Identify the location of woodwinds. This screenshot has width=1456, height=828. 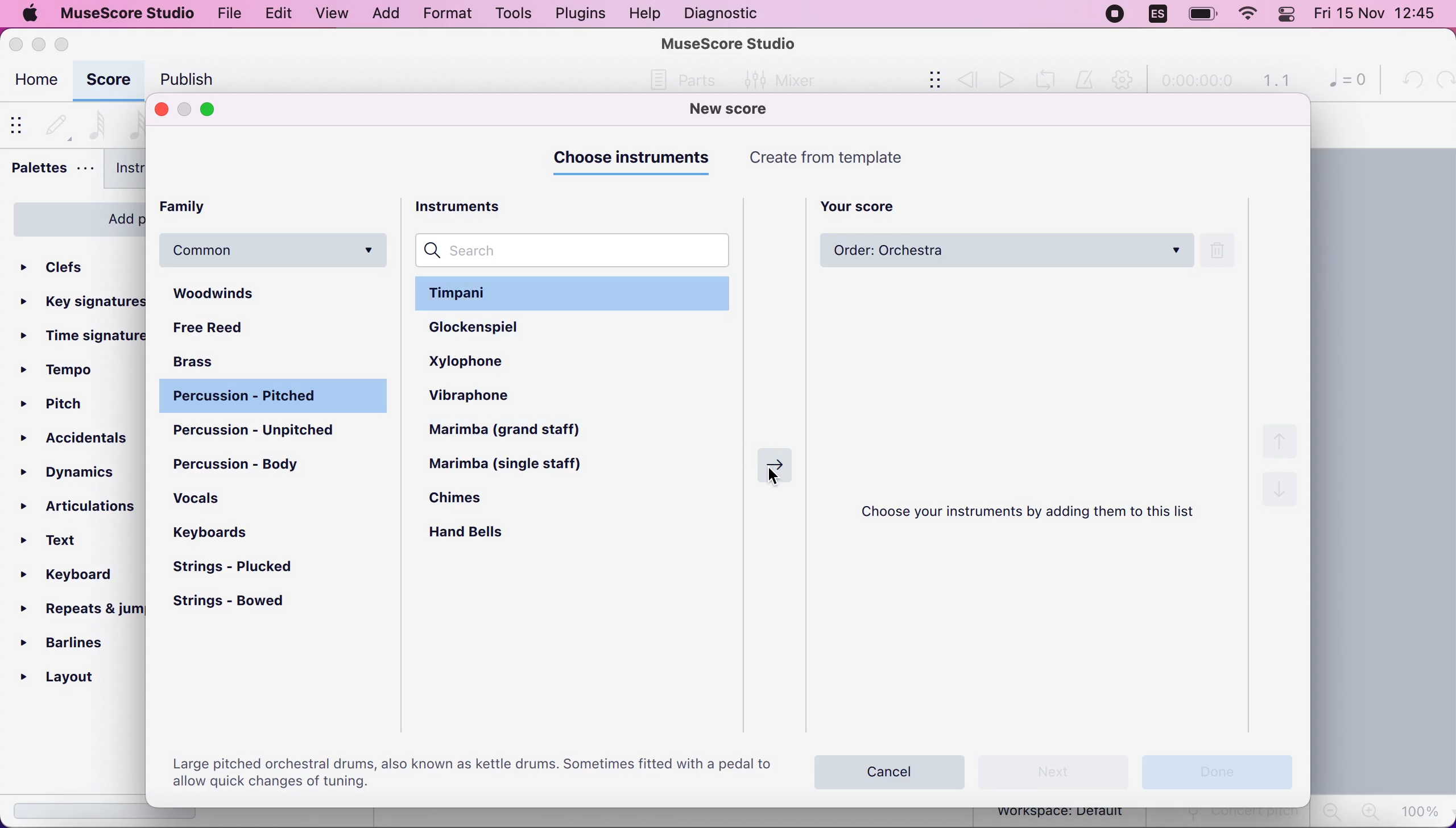
(276, 294).